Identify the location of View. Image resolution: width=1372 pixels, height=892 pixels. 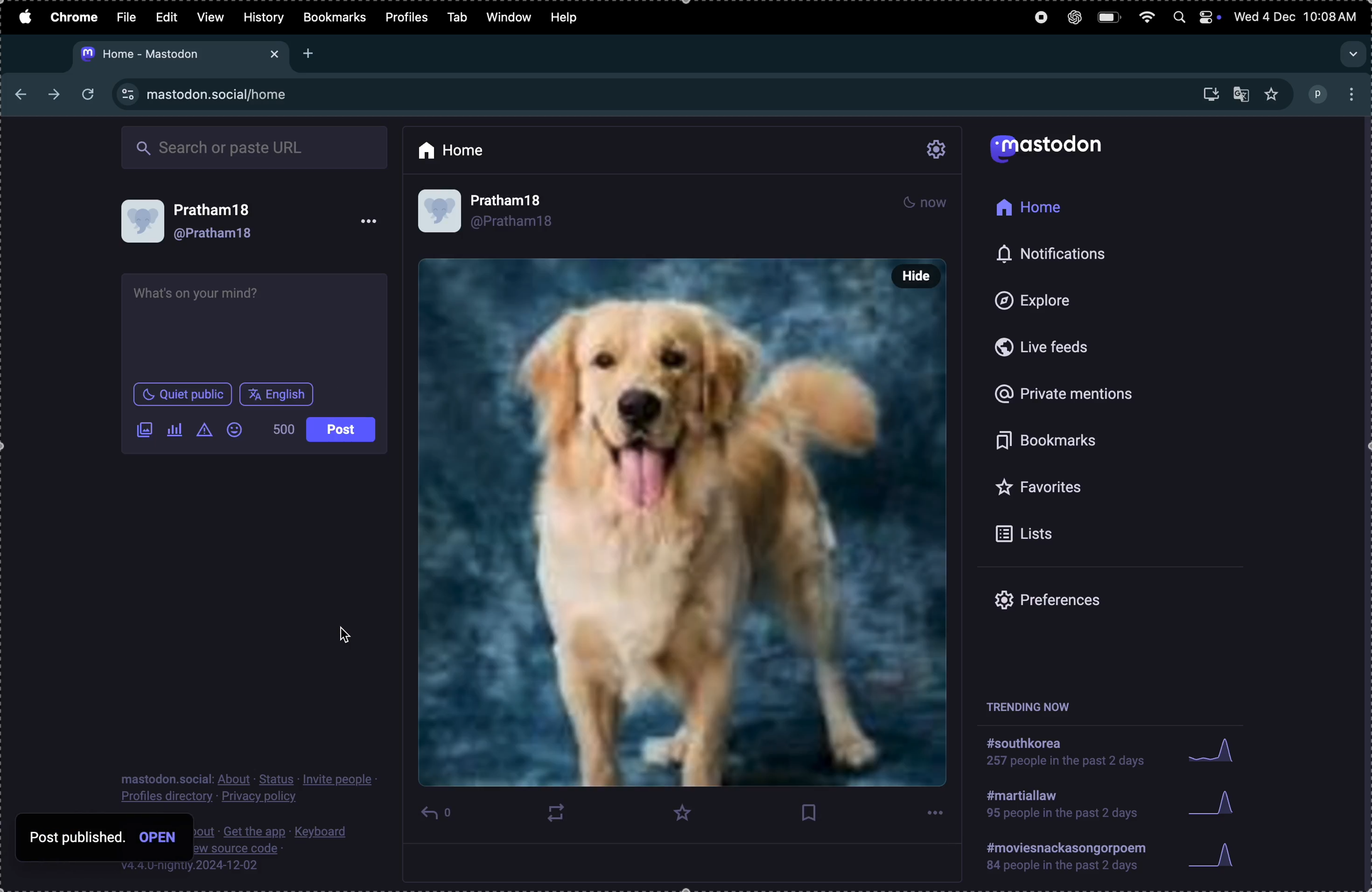
(209, 17).